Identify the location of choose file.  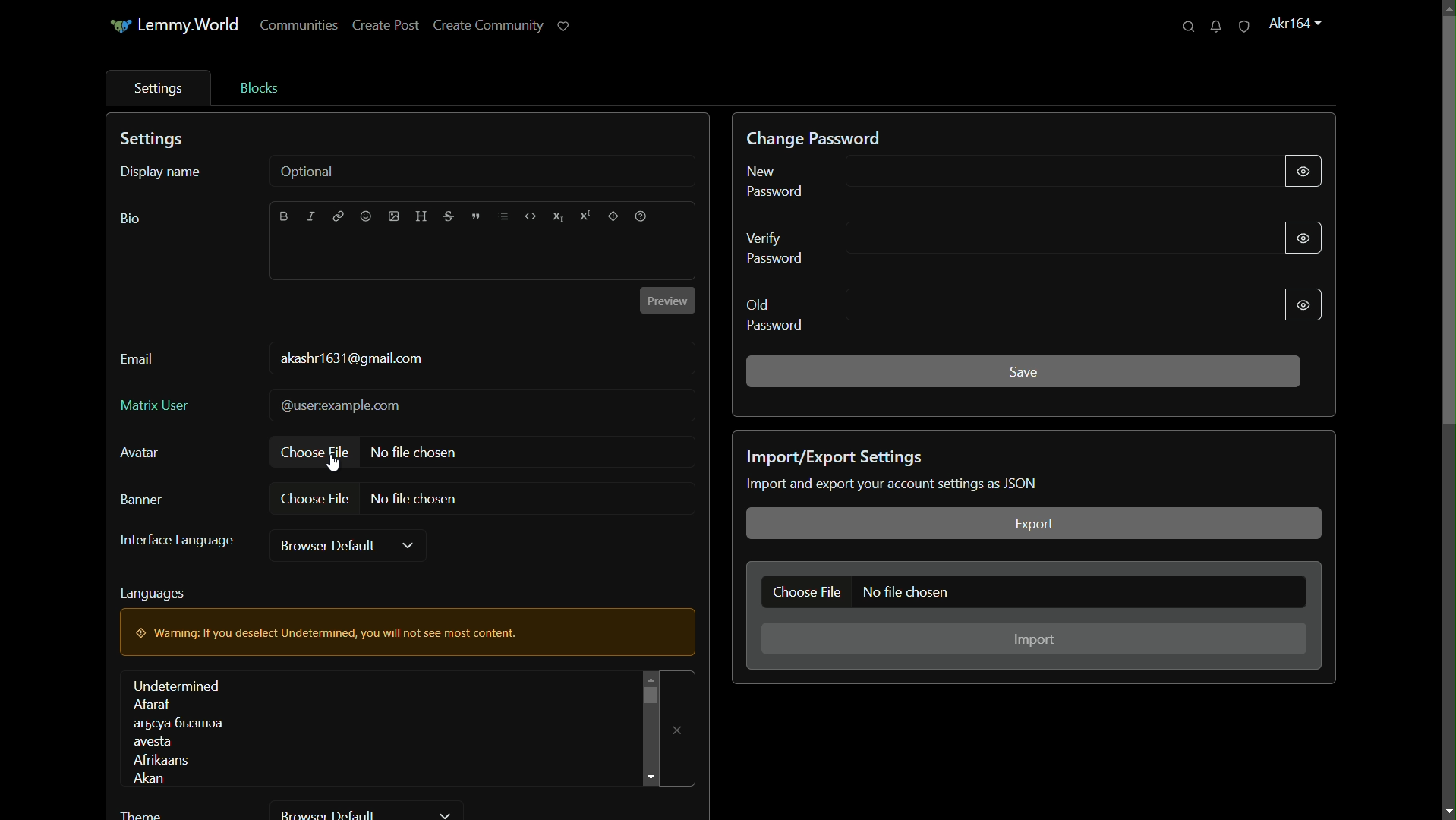
(807, 591).